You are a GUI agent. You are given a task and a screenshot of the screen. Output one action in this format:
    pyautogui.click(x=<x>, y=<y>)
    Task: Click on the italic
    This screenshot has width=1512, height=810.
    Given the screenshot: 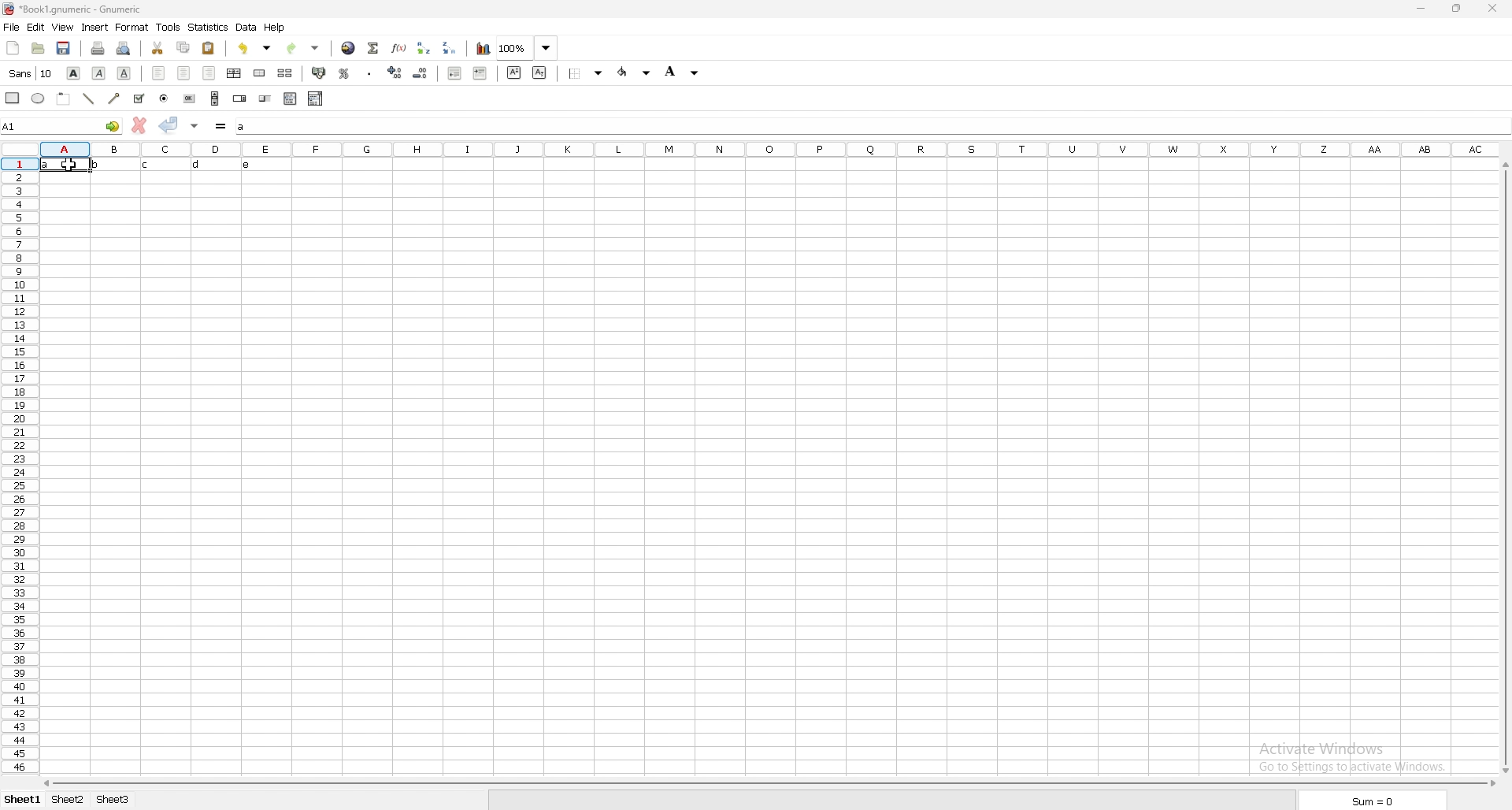 What is the action you would take?
    pyautogui.click(x=98, y=74)
    